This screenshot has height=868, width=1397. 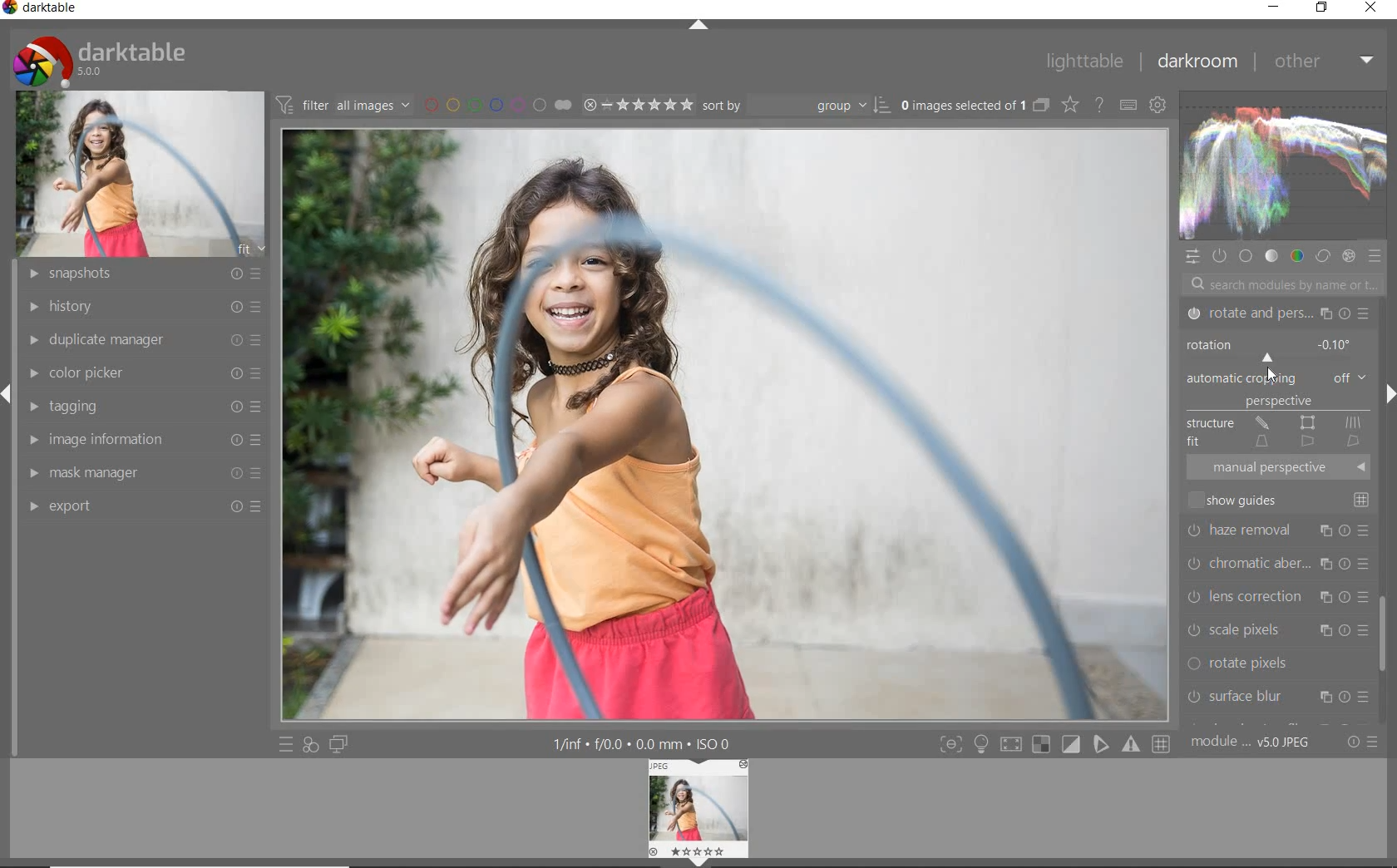 I want to click on image, so click(x=140, y=175).